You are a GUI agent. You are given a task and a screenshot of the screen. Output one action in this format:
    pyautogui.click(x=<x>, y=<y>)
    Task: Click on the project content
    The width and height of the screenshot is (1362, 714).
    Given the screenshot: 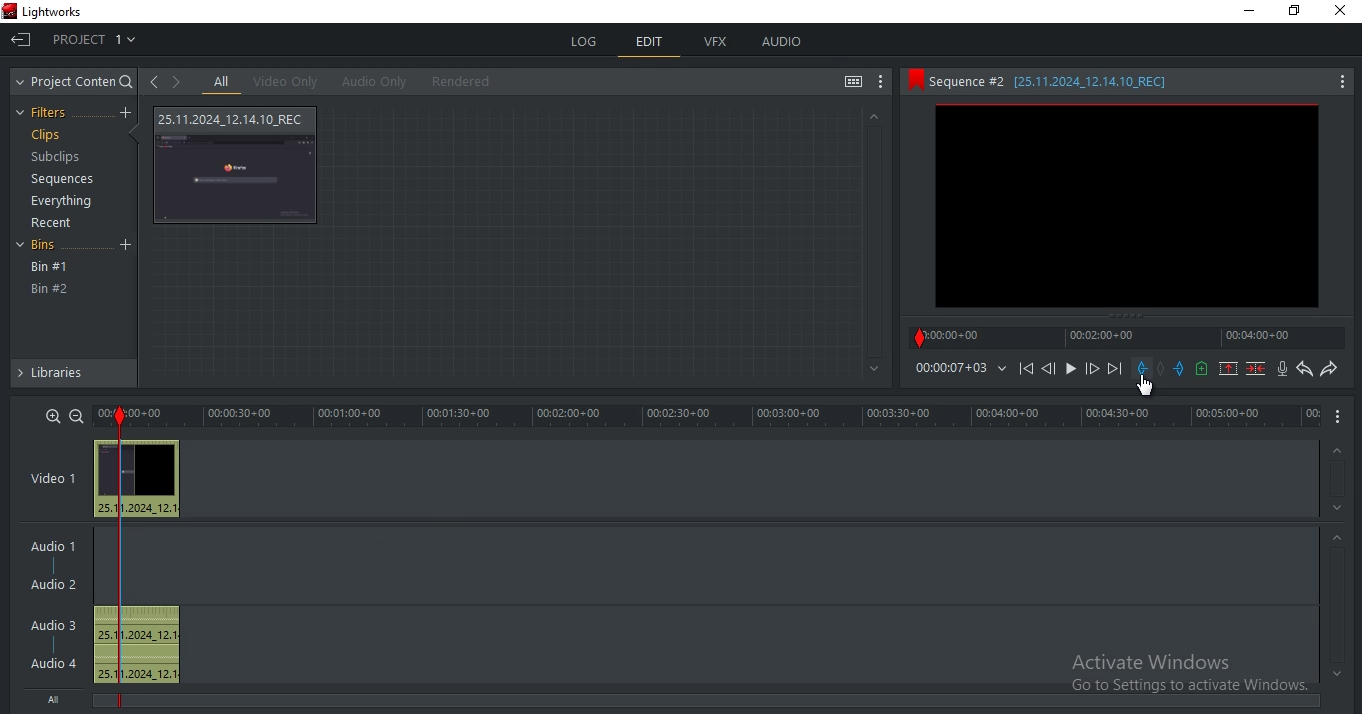 What is the action you would take?
    pyautogui.click(x=76, y=82)
    